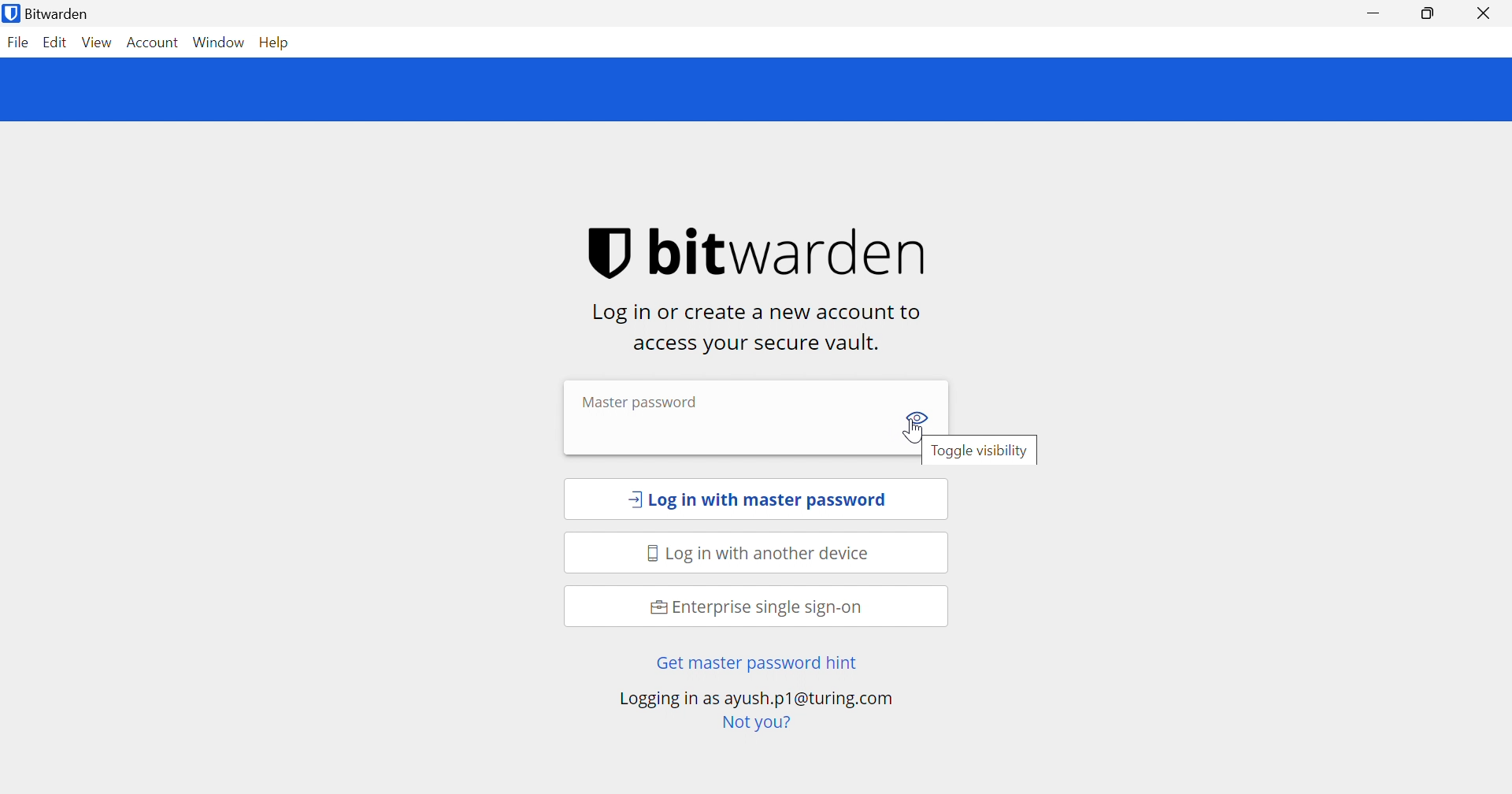 This screenshot has width=1512, height=794. Describe the element at coordinates (276, 42) in the screenshot. I see `Help` at that location.